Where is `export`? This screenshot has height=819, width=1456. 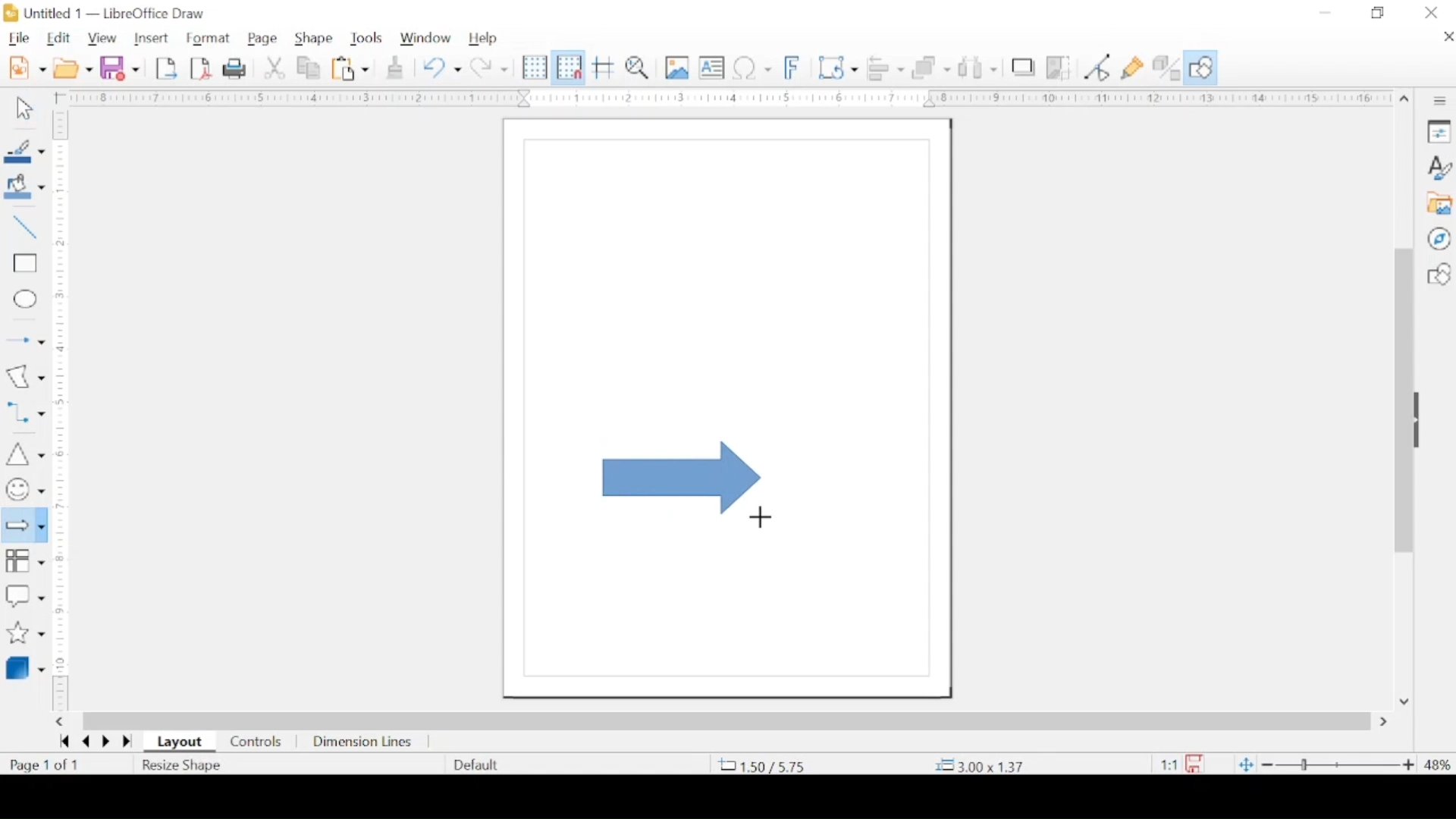 export is located at coordinates (166, 68).